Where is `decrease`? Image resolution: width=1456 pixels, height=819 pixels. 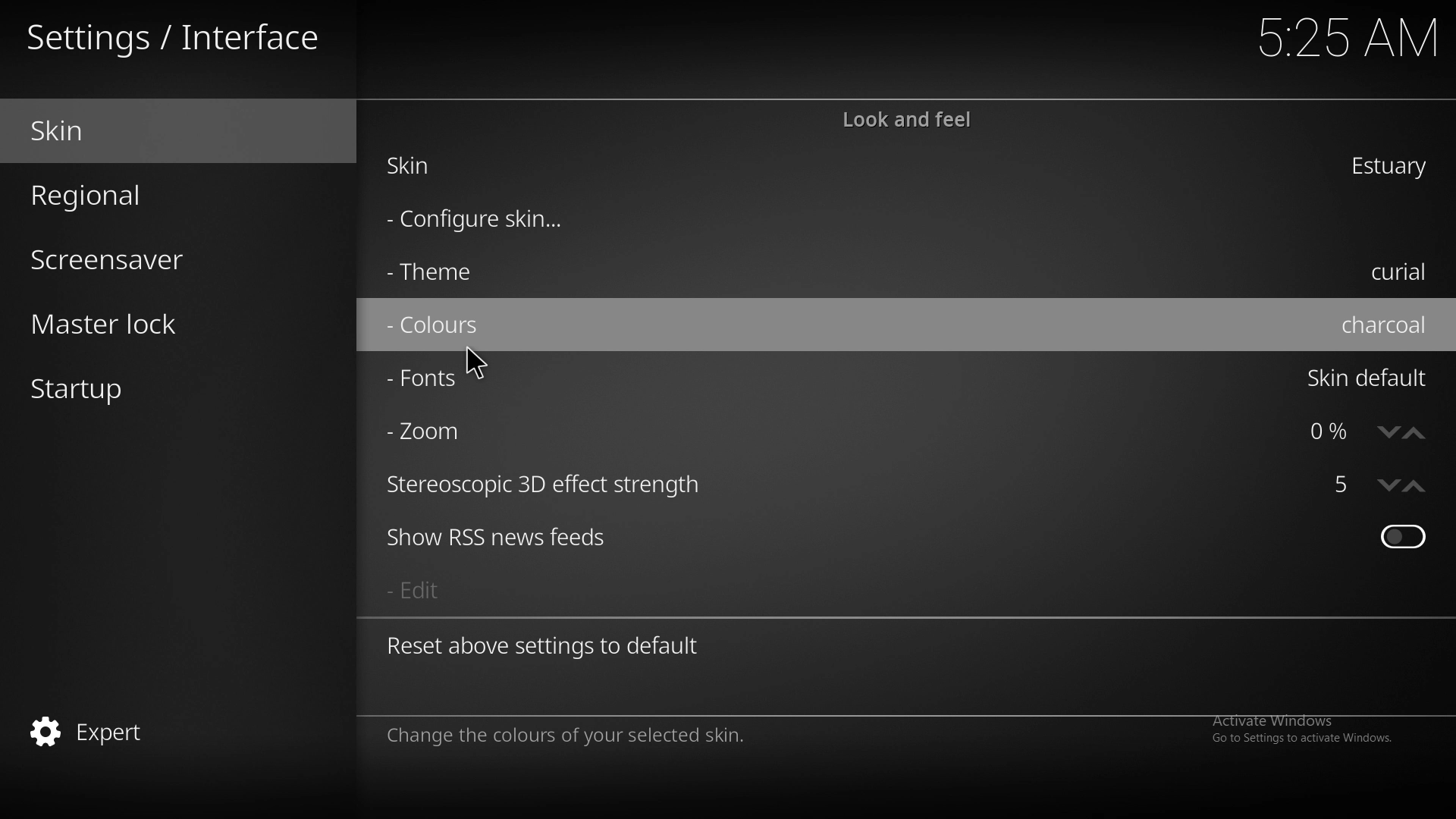 decrease is located at coordinates (1386, 486).